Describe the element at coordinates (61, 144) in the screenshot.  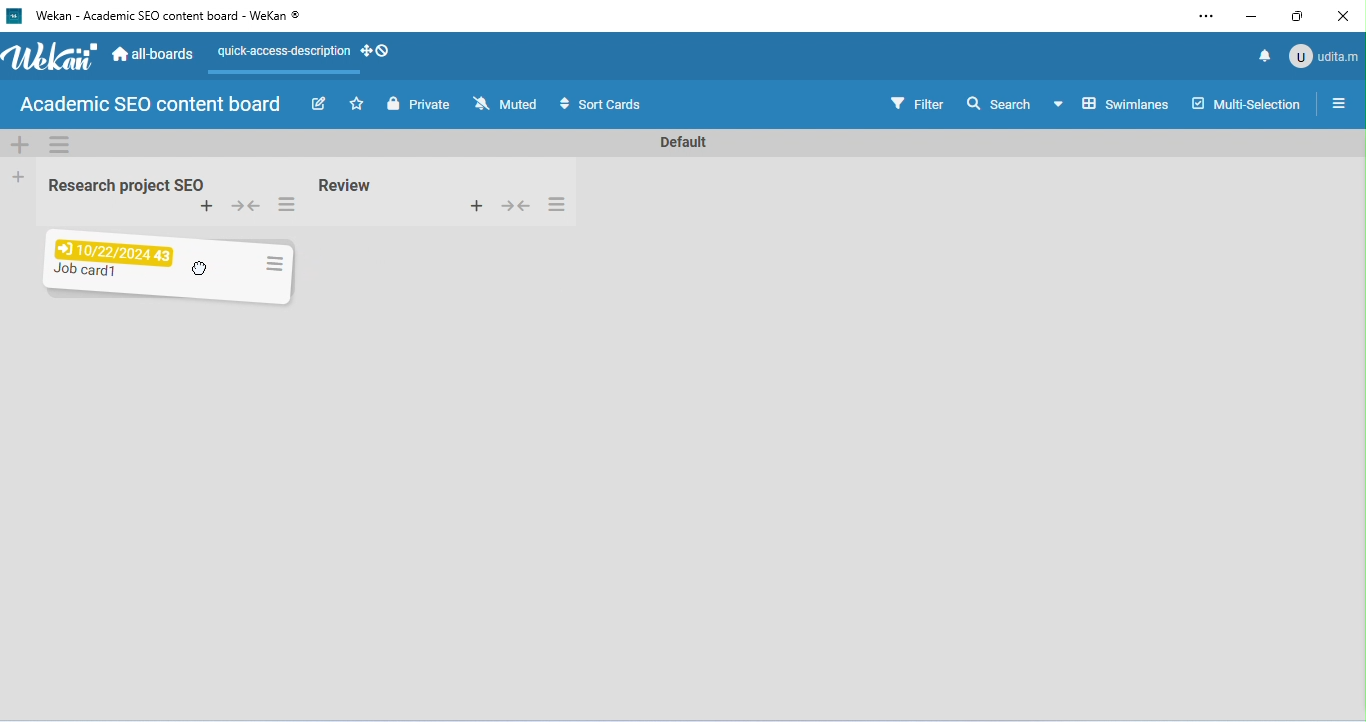
I see `swimelane actions` at that location.